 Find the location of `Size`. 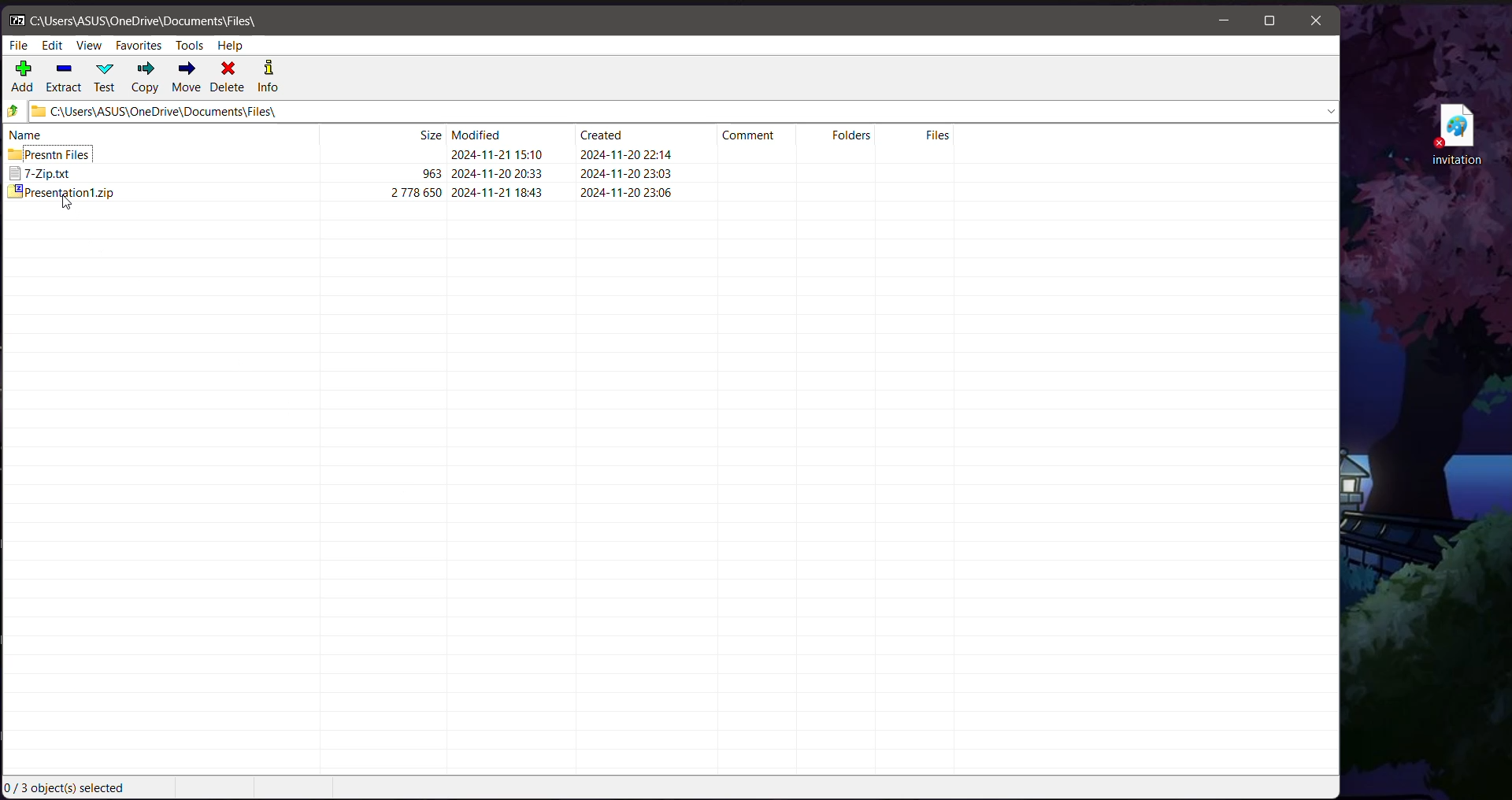

Size is located at coordinates (430, 133).